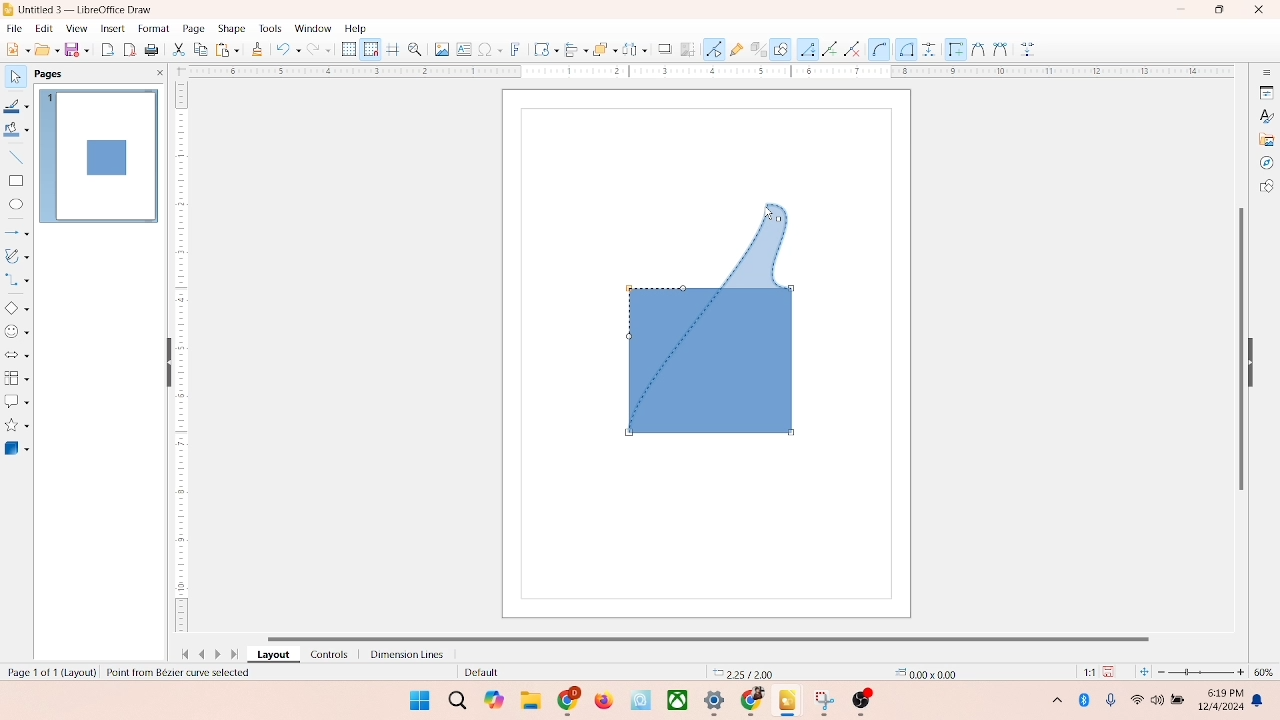  Describe the element at coordinates (16, 157) in the screenshot. I see `insert line` at that location.